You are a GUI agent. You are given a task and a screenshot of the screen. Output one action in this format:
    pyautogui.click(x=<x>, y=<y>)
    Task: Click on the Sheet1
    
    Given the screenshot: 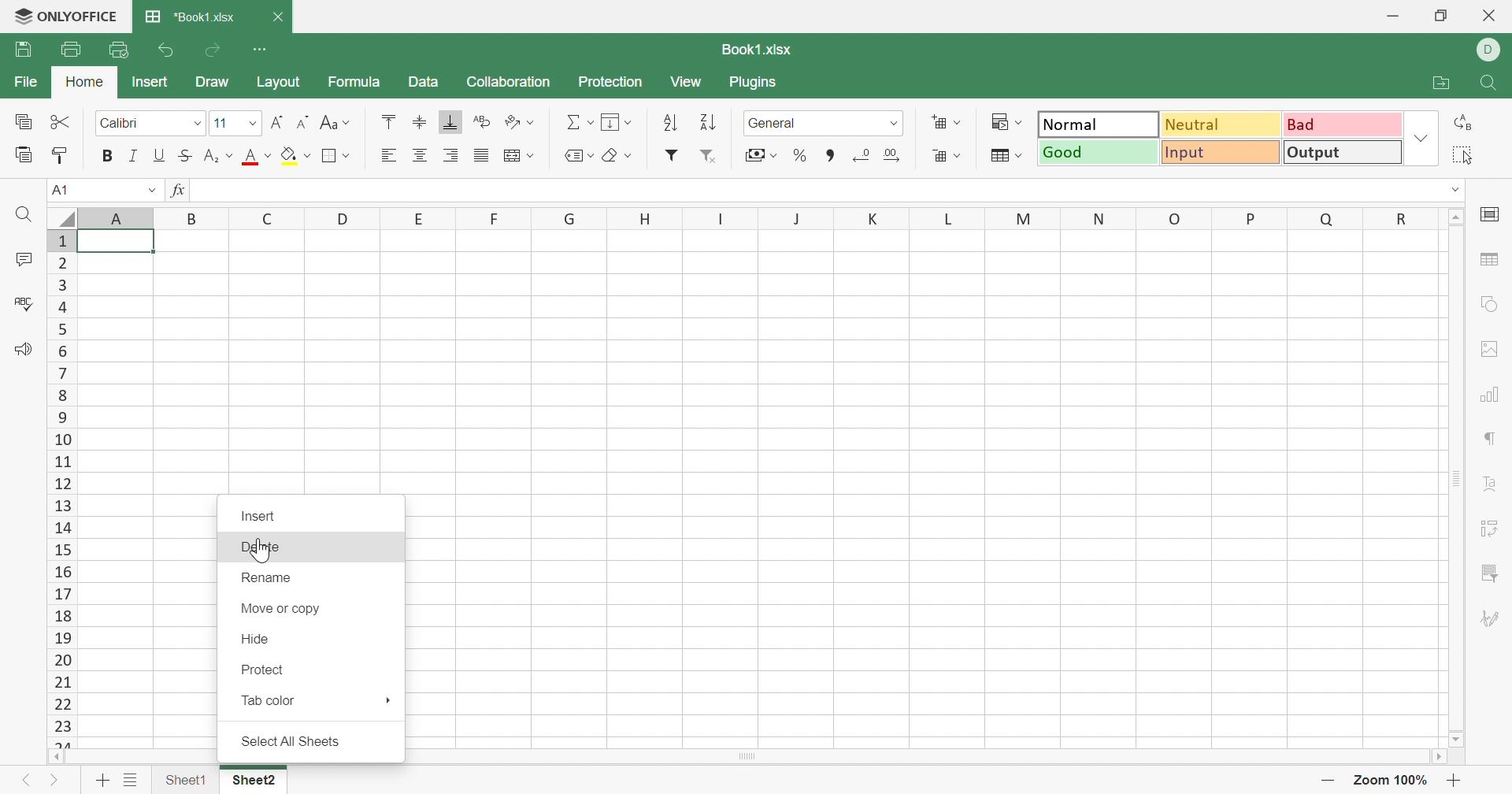 What is the action you would take?
    pyautogui.click(x=185, y=777)
    